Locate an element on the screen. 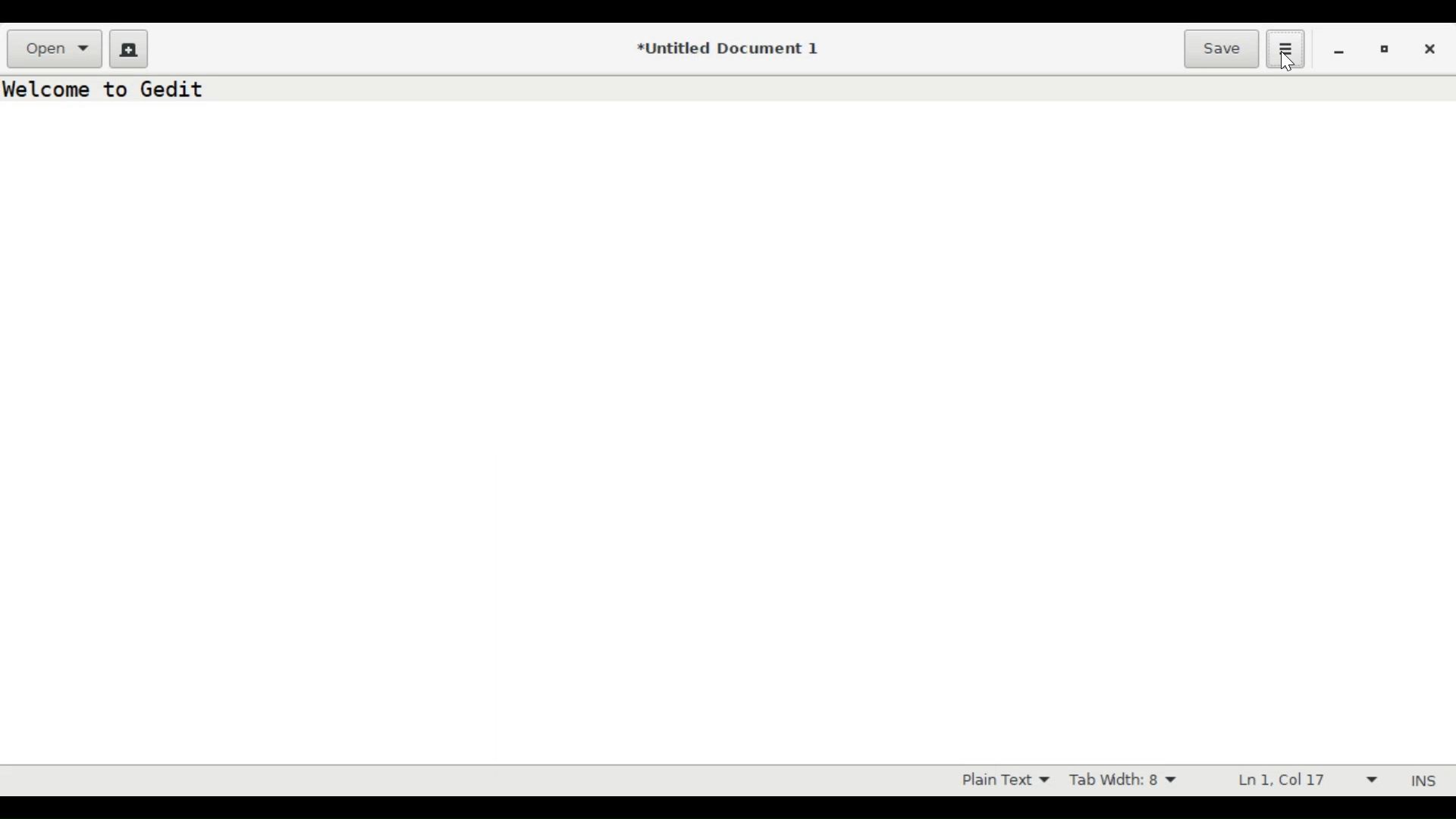 The width and height of the screenshot is (1456, 819). minimize is located at coordinates (1339, 52).